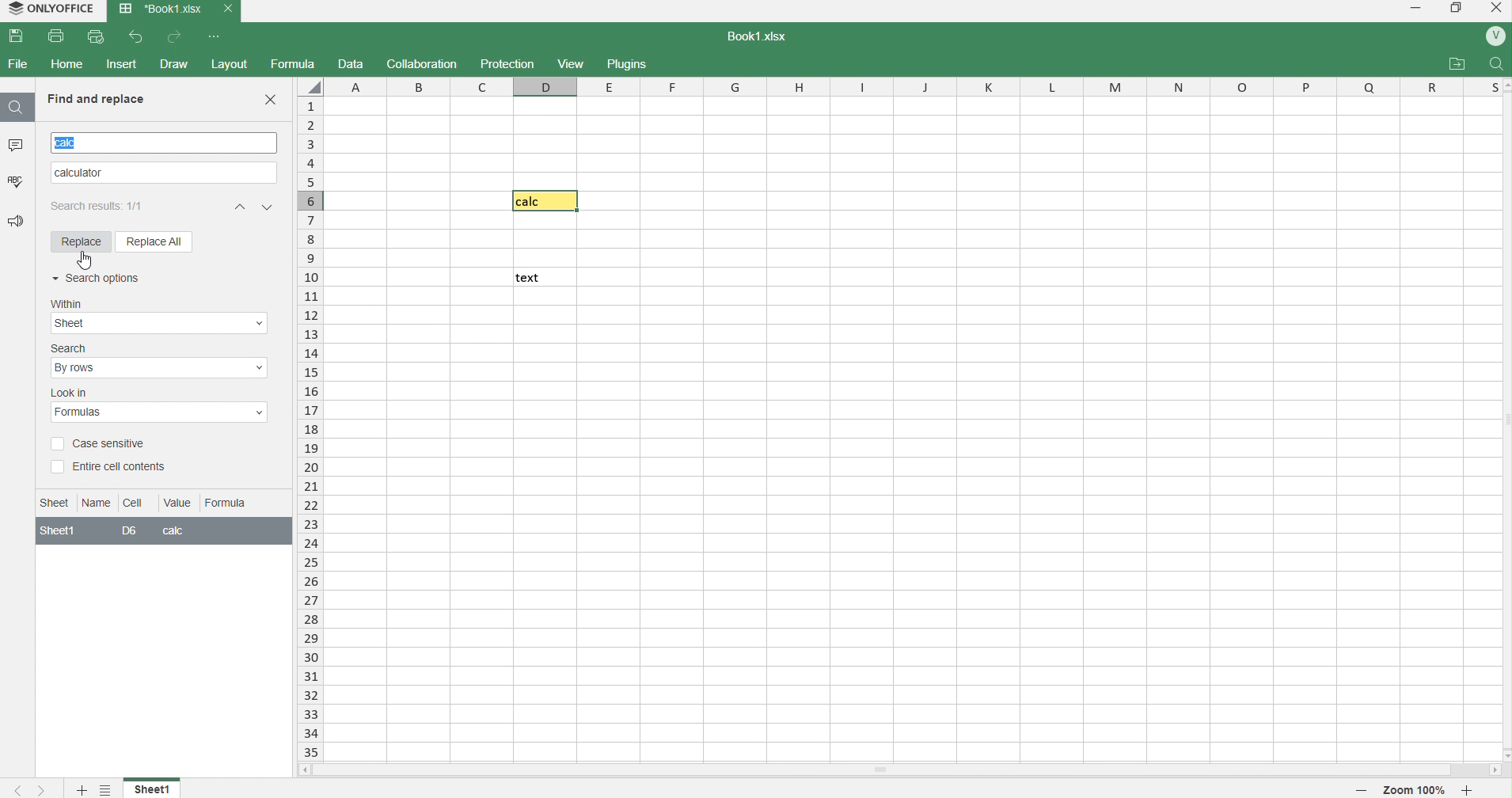  I want to click on minimize, so click(1412, 9).